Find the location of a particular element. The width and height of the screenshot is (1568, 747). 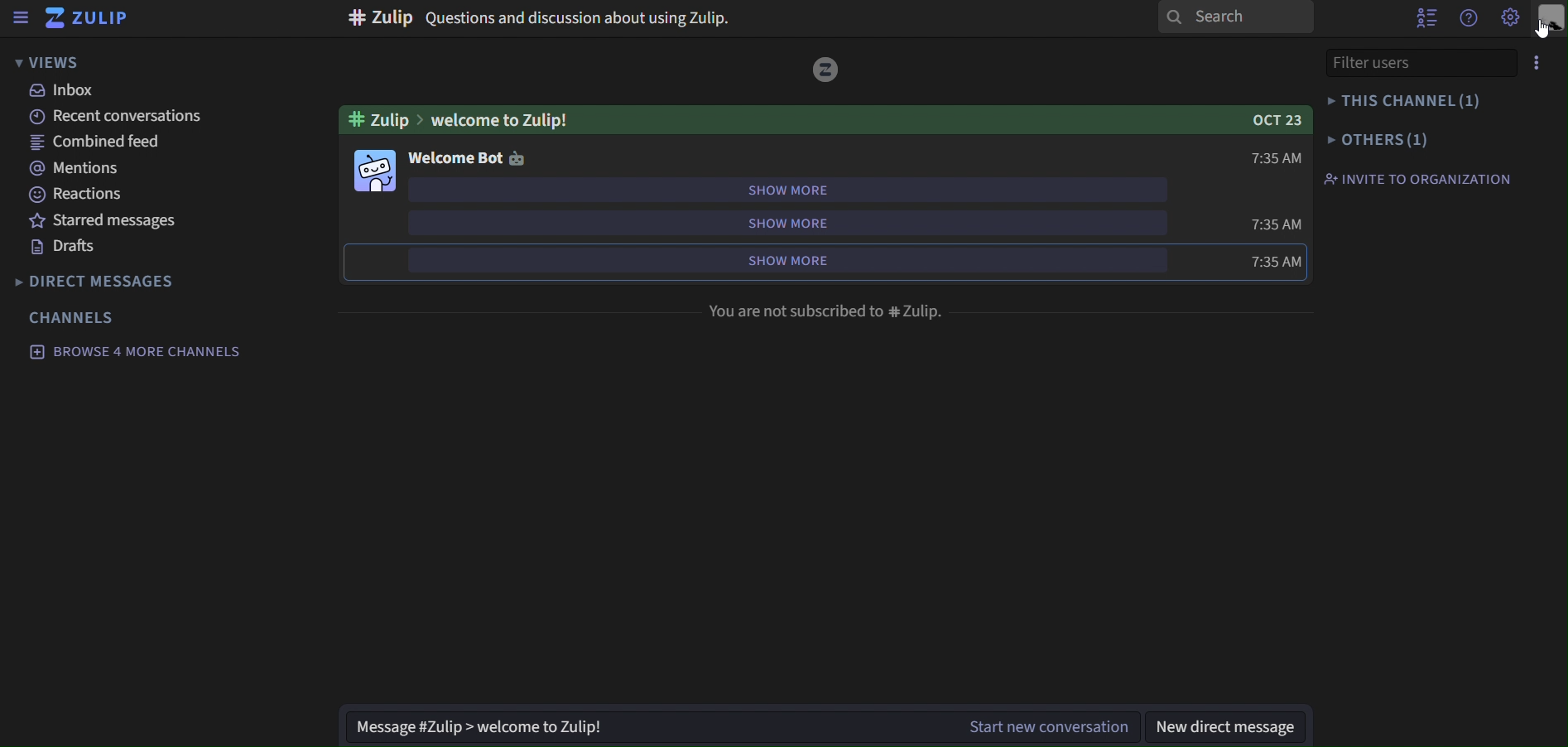

welcome to Zulip! is located at coordinates (507, 119).